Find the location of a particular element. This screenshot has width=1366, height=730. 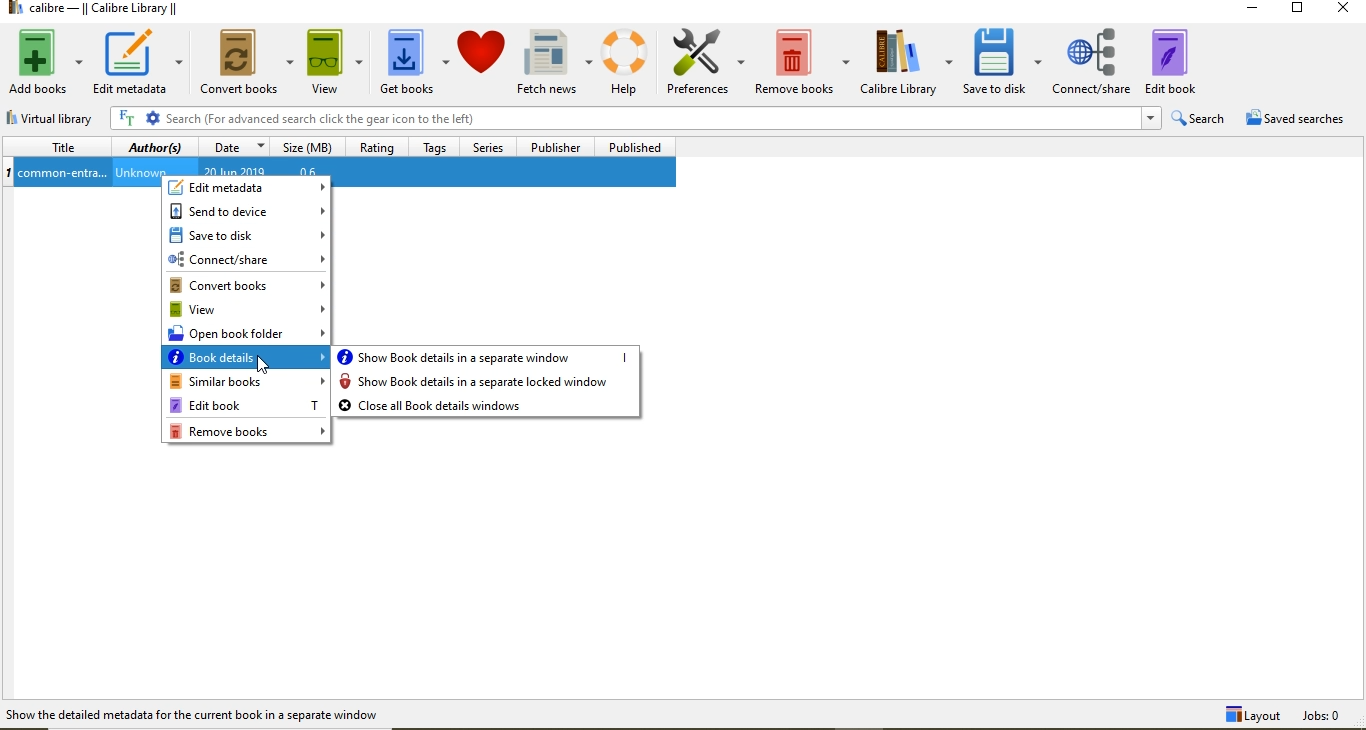

search is located at coordinates (1197, 119).